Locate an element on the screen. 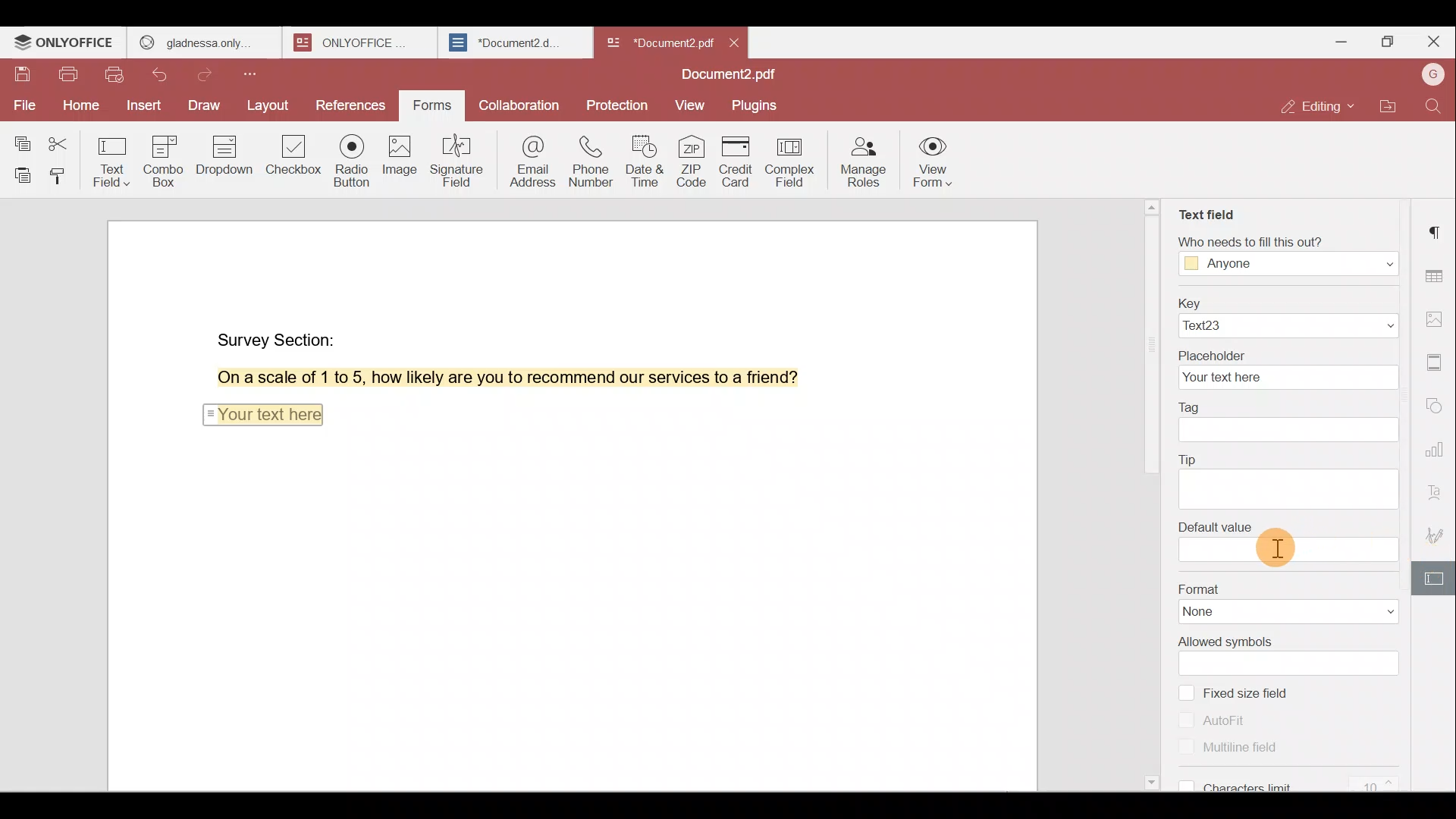 The image size is (1456, 819). Paste is located at coordinates (18, 175).